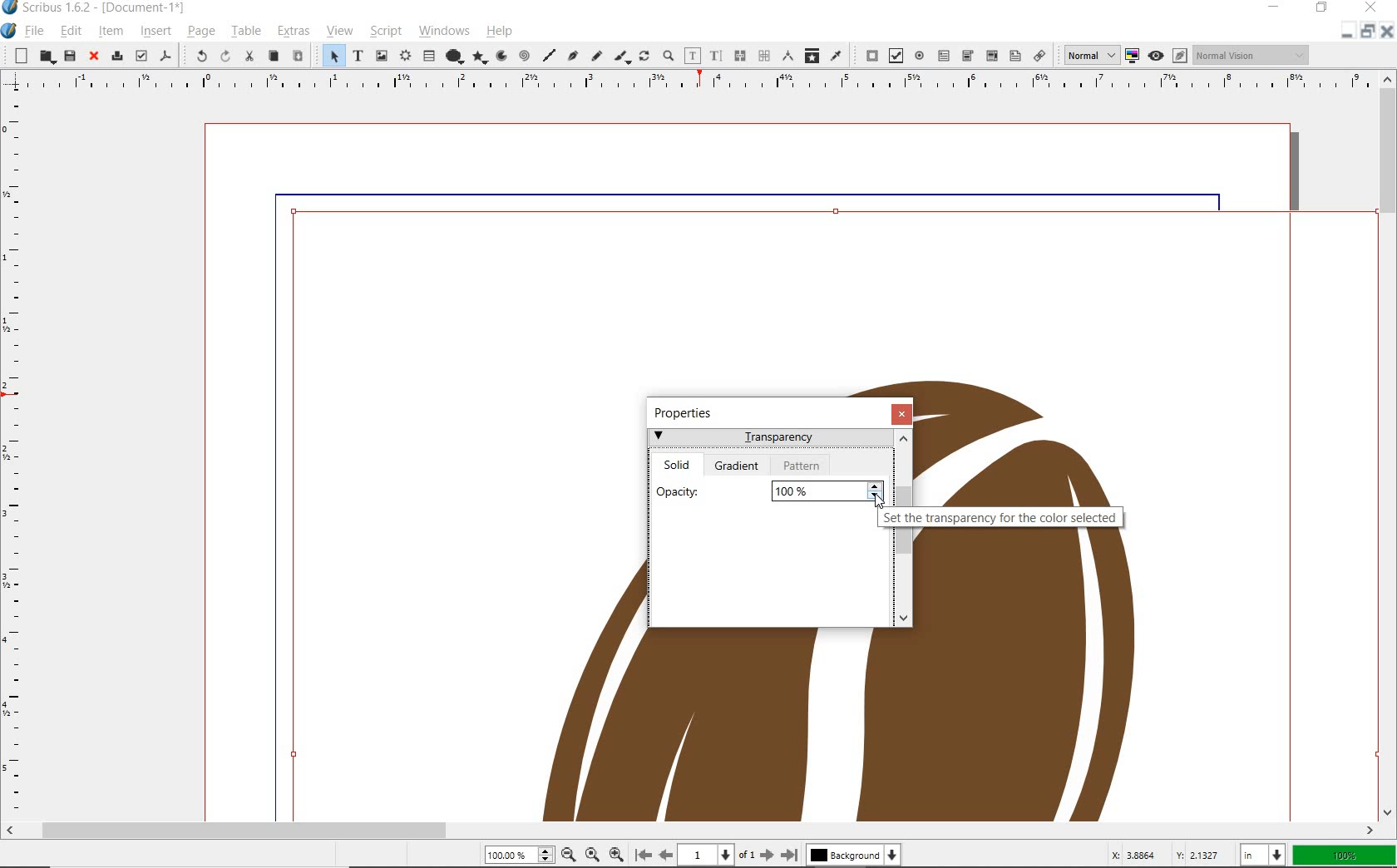  Describe the element at coordinates (380, 57) in the screenshot. I see `image frame` at that location.